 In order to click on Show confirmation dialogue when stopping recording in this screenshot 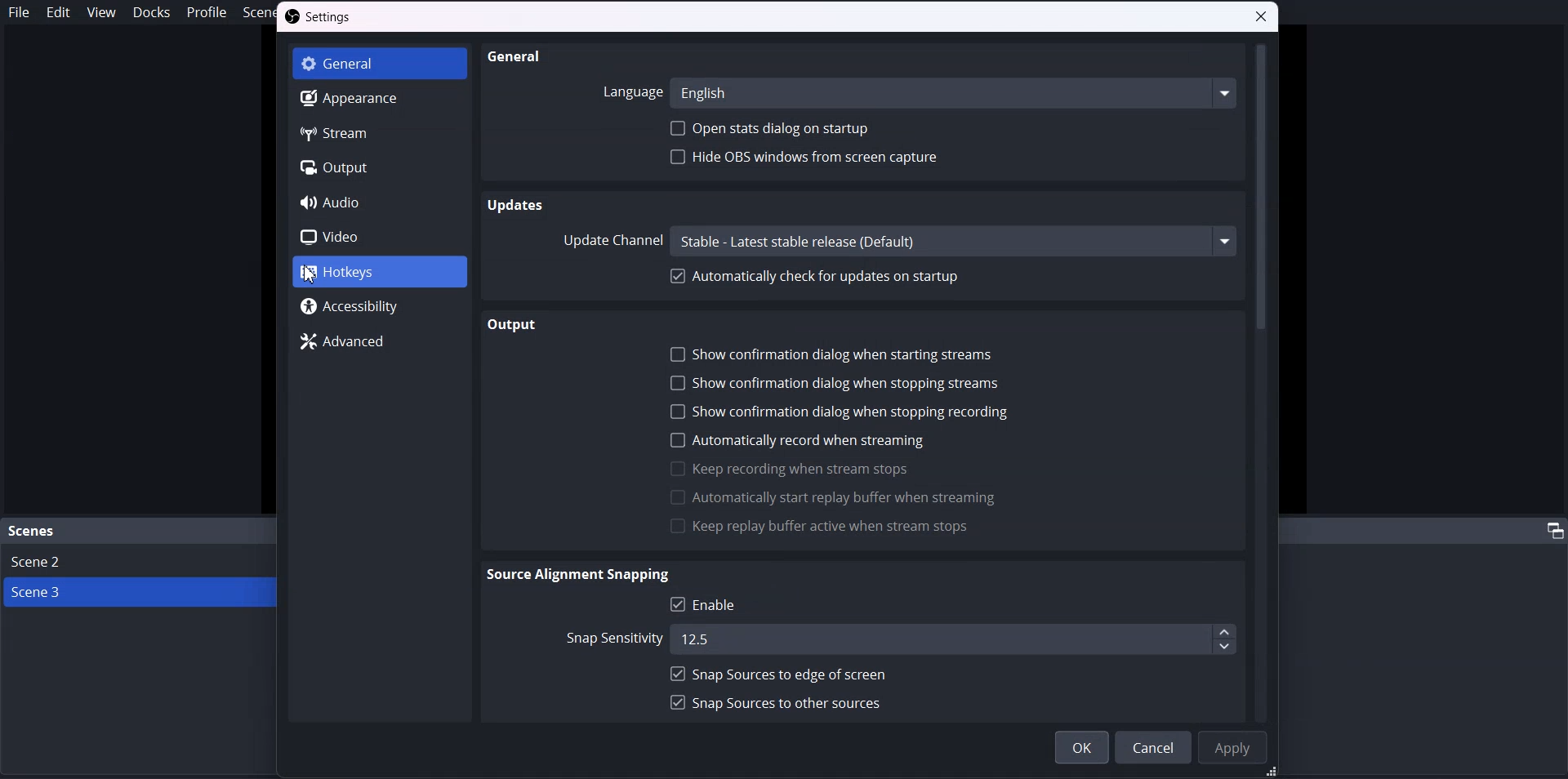, I will do `click(840, 411)`.